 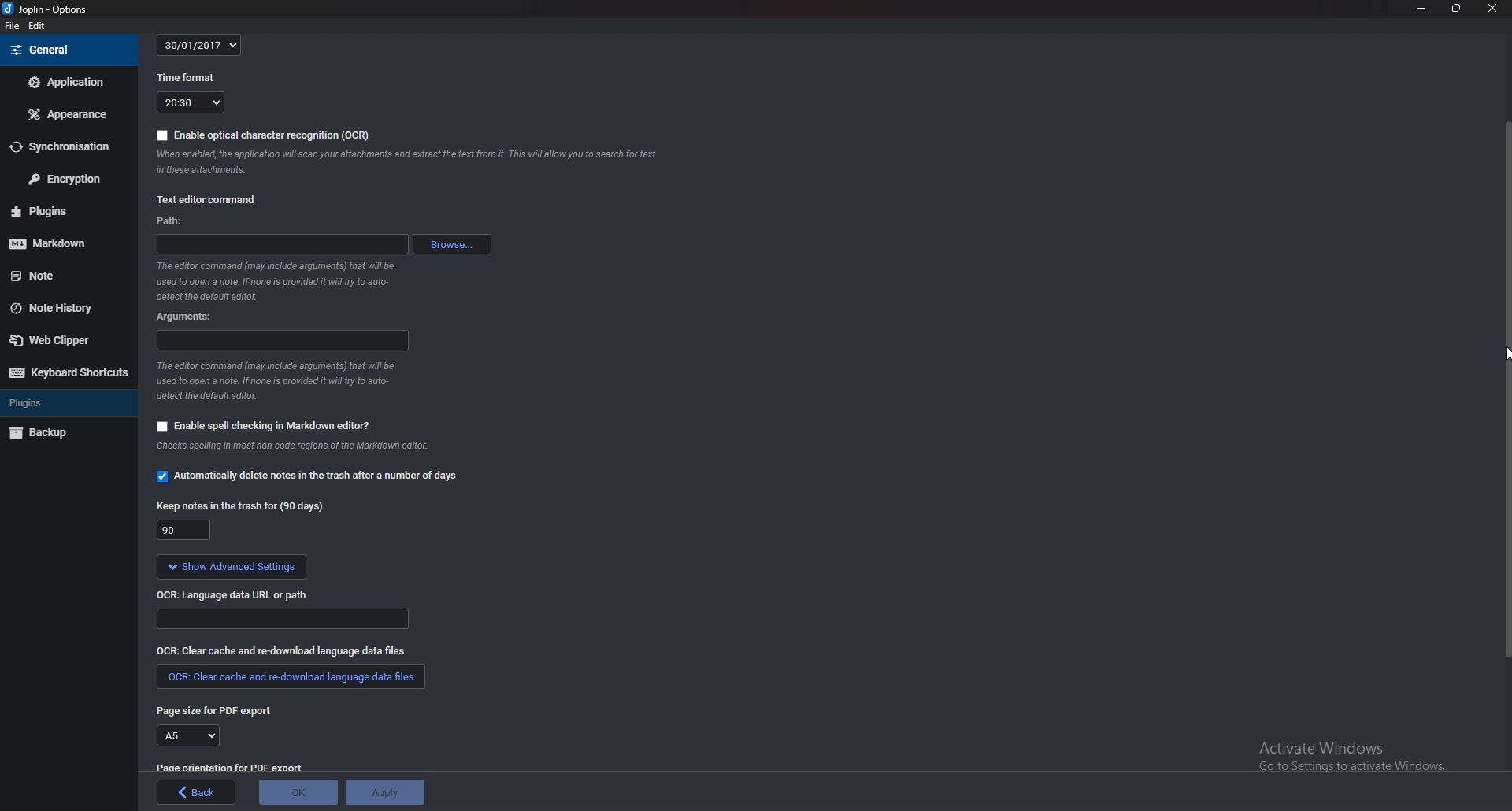 What do you see at coordinates (281, 341) in the screenshot?
I see `arguments` at bounding box center [281, 341].